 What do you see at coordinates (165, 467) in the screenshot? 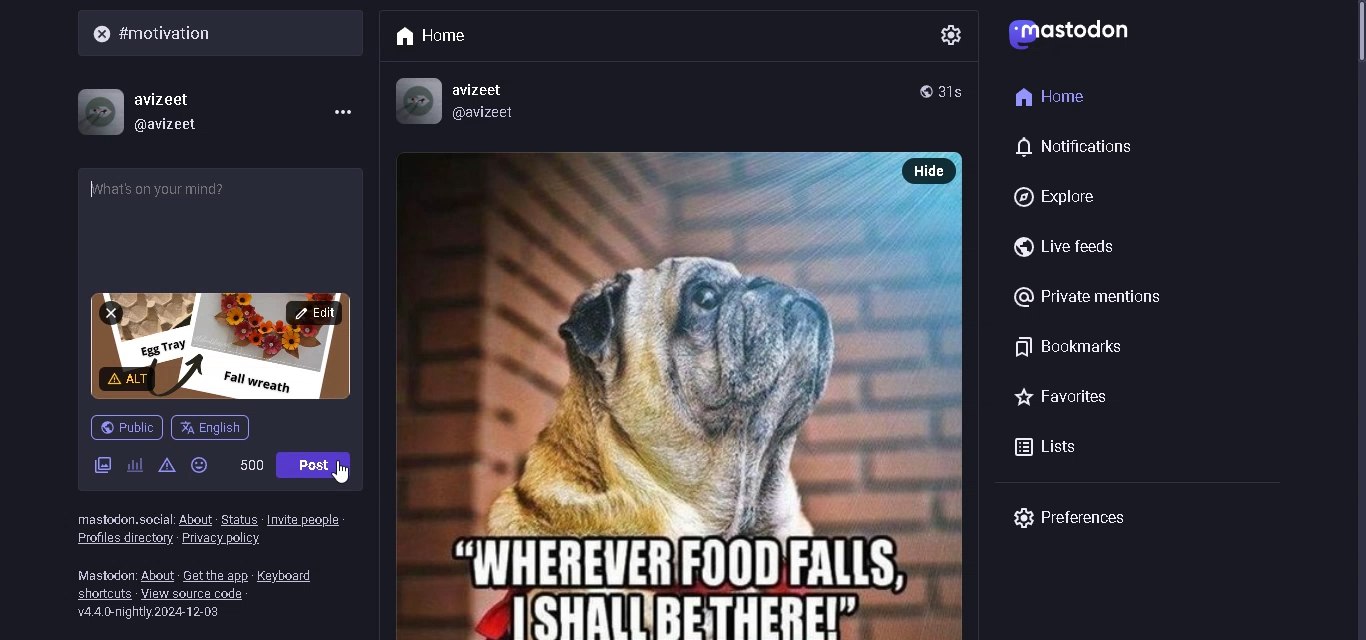
I see `content warning` at bounding box center [165, 467].